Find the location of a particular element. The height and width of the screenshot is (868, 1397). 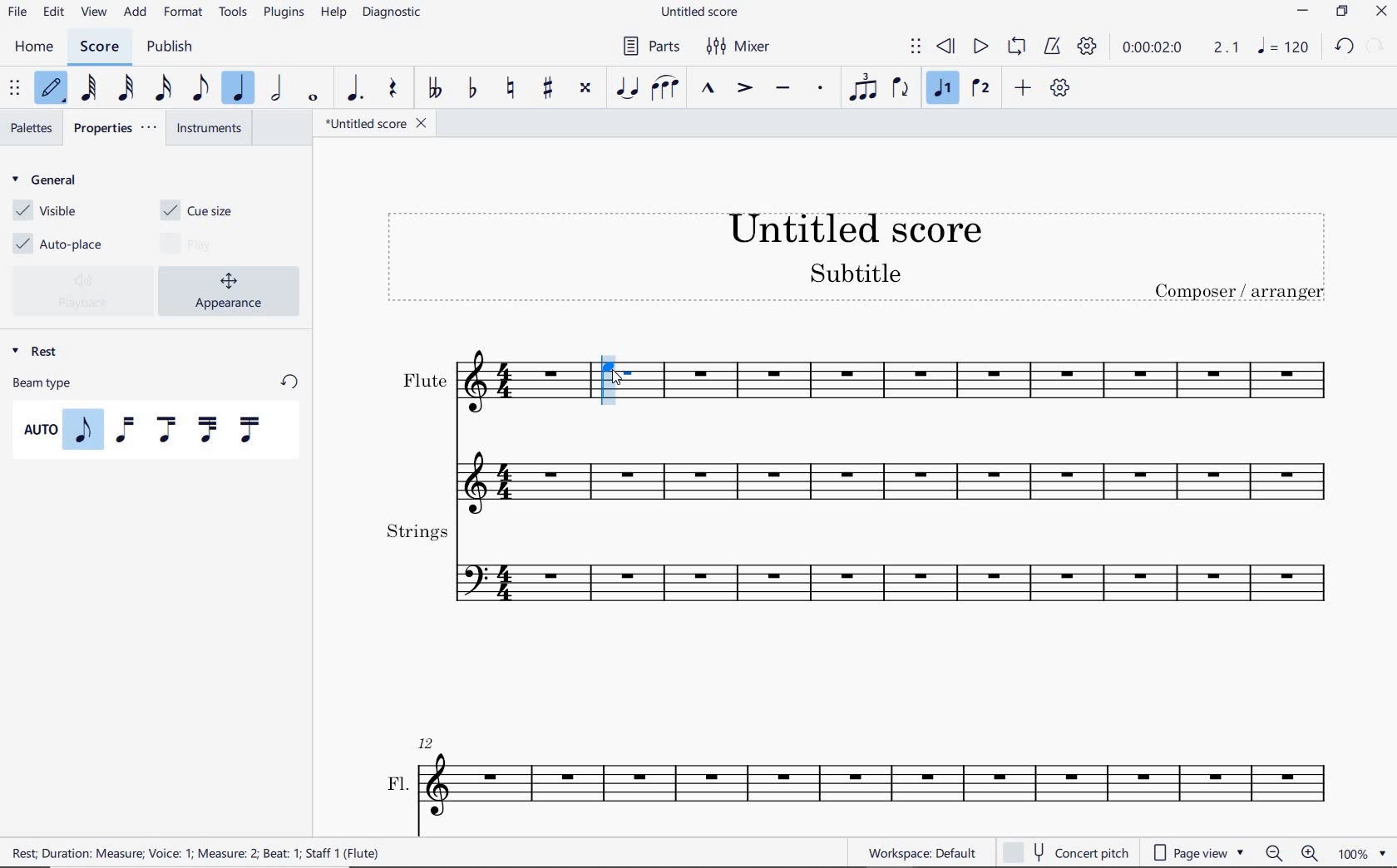

PUBLISH is located at coordinates (170, 47).